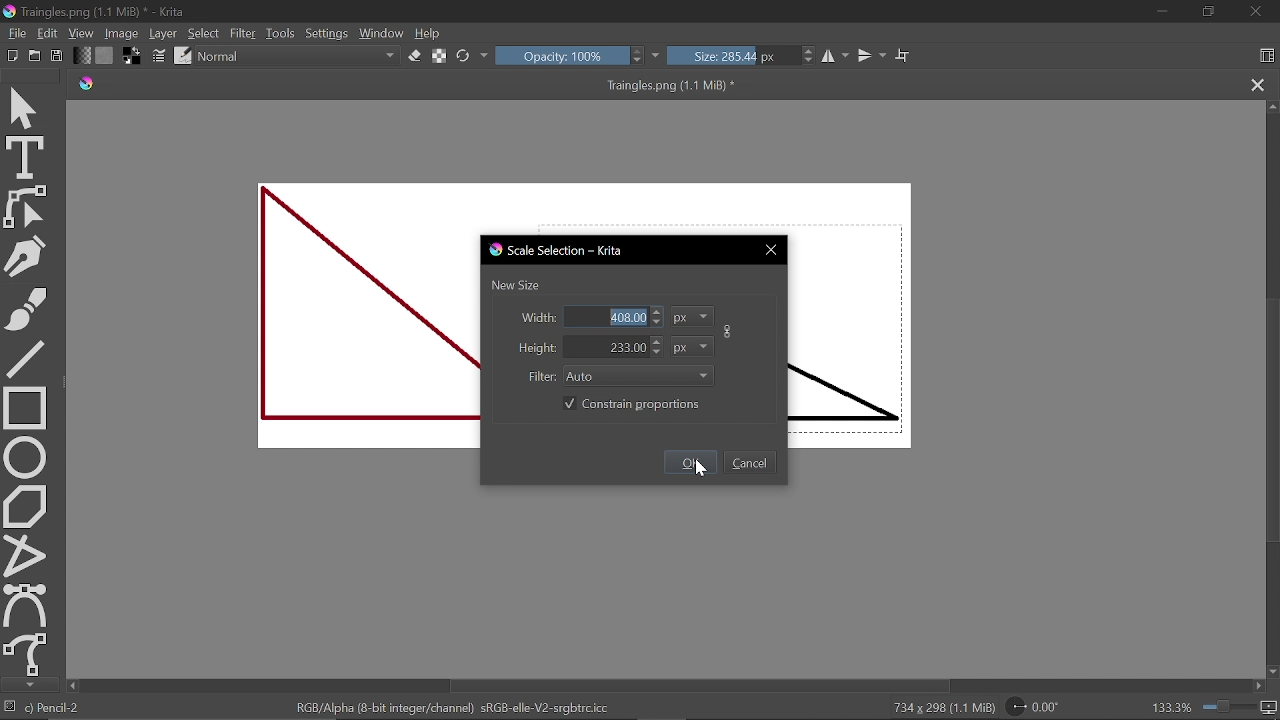  What do you see at coordinates (1207, 12) in the screenshot?
I see `Restore down` at bounding box center [1207, 12].